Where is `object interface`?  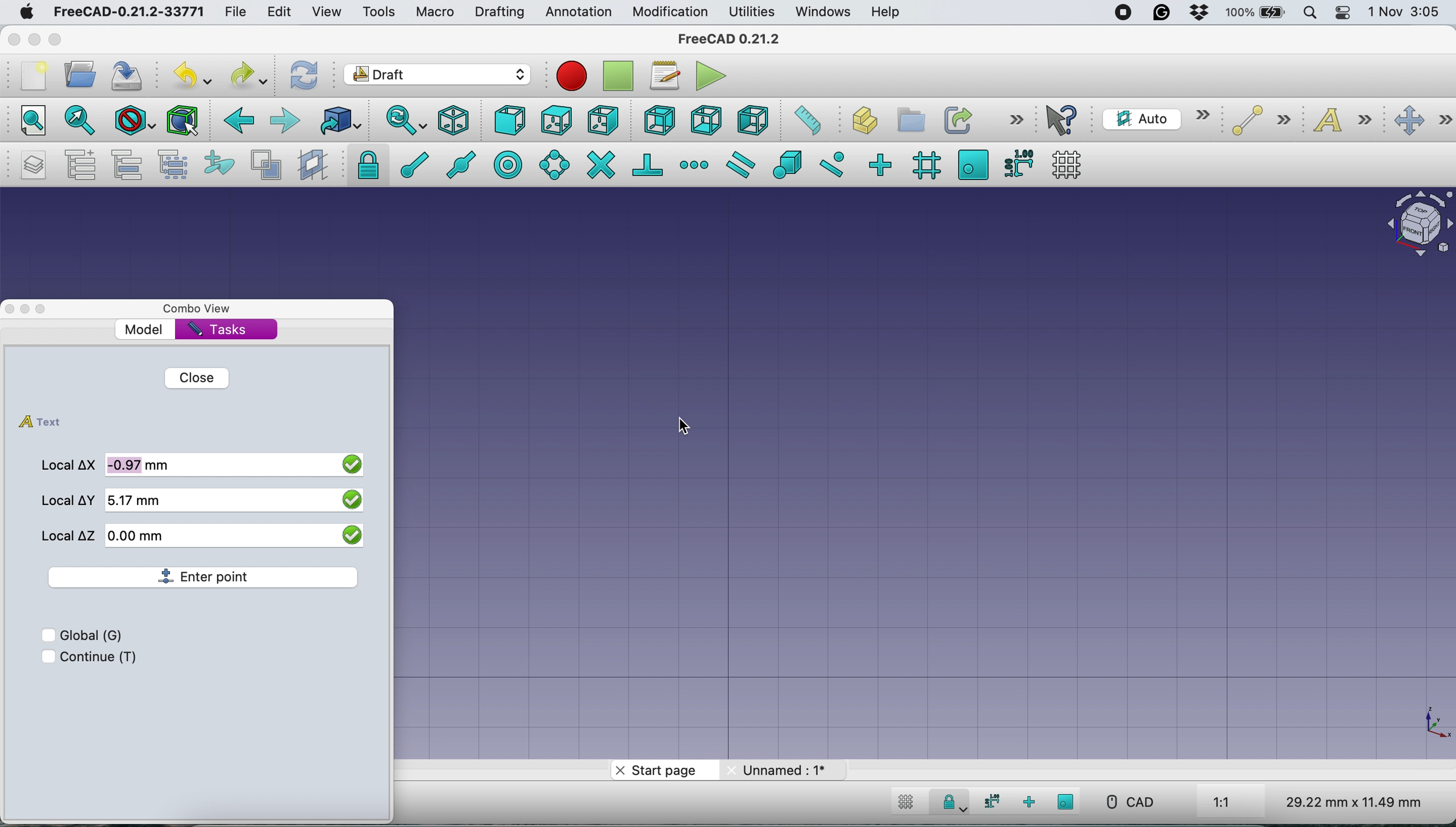 object interface is located at coordinates (1415, 222).